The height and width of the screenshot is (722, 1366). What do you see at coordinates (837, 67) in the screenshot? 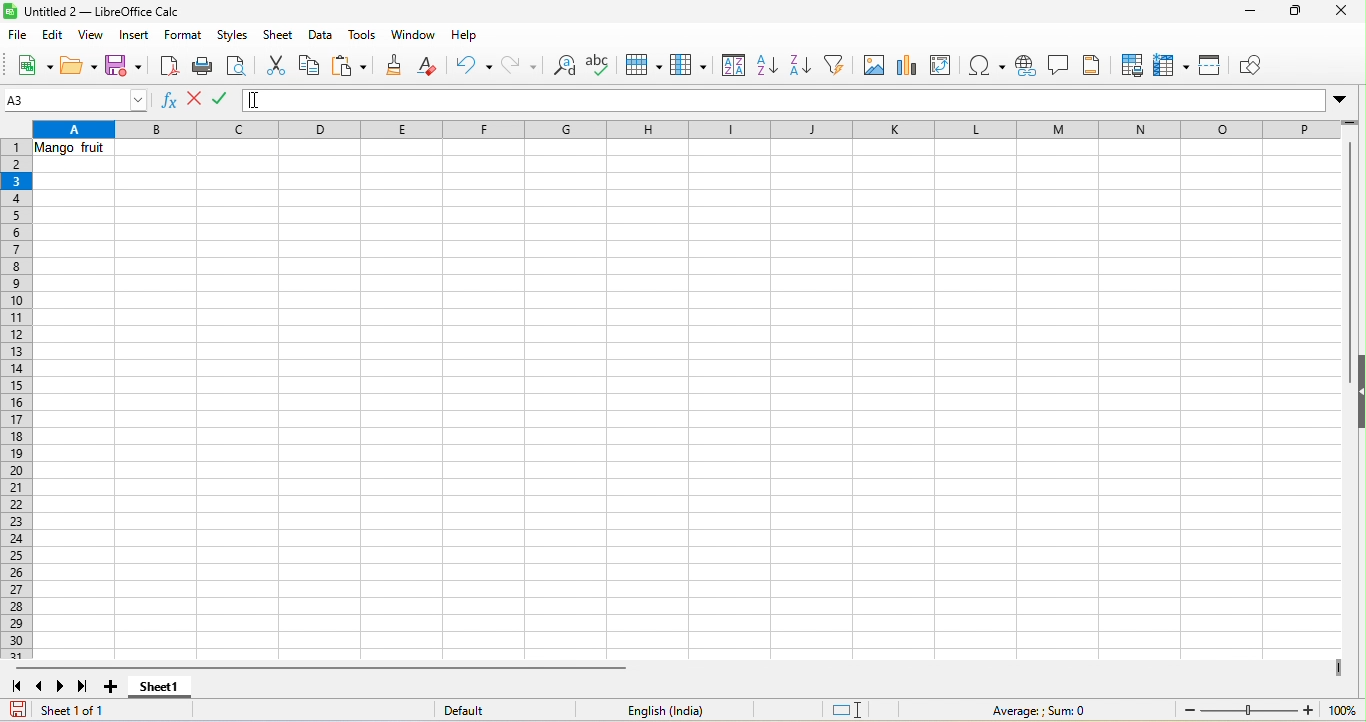
I see `auto filter` at bounding box center [837, 67].